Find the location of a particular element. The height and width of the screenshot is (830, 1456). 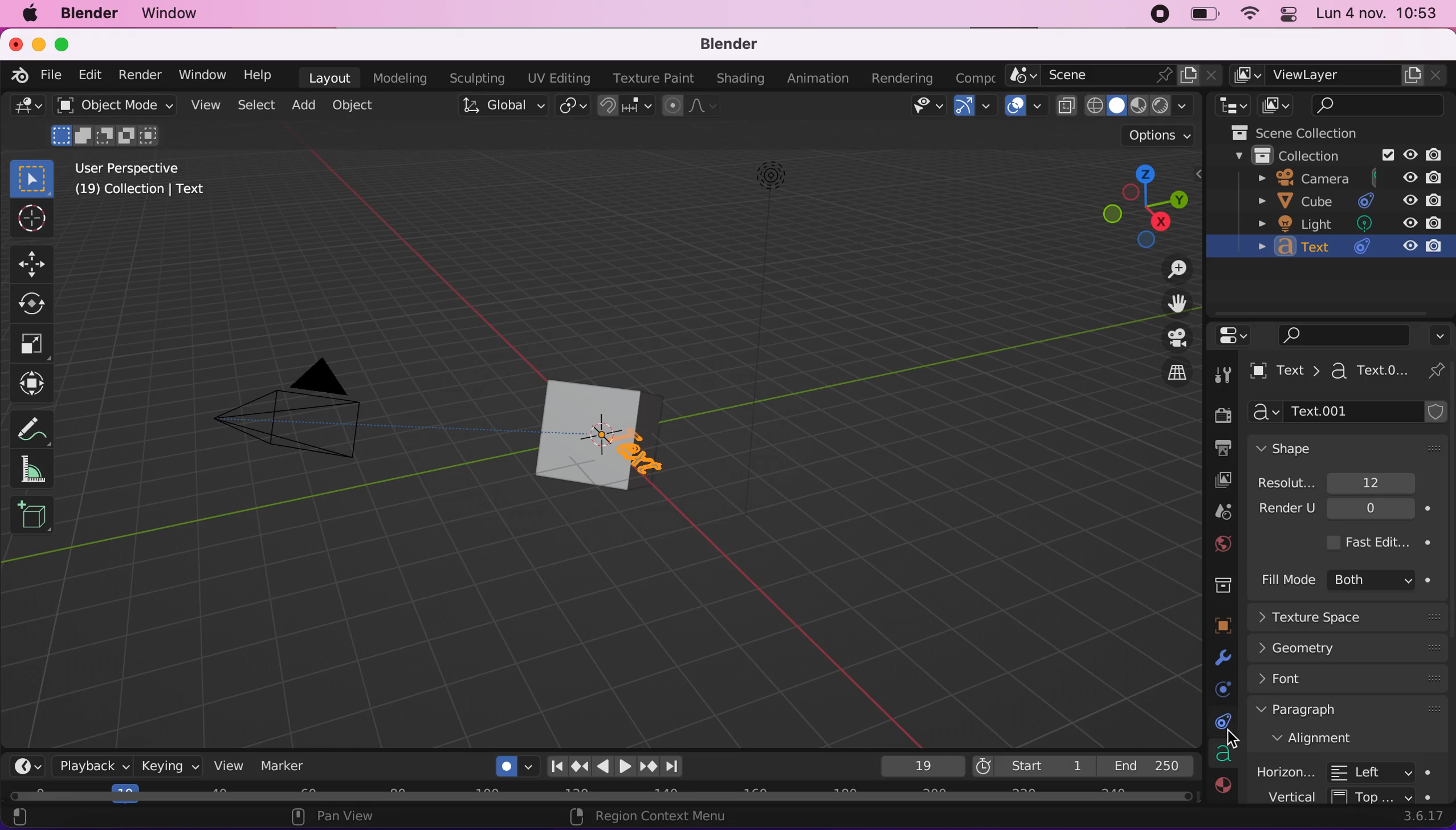

tools is located at coordinates (1226, 371).